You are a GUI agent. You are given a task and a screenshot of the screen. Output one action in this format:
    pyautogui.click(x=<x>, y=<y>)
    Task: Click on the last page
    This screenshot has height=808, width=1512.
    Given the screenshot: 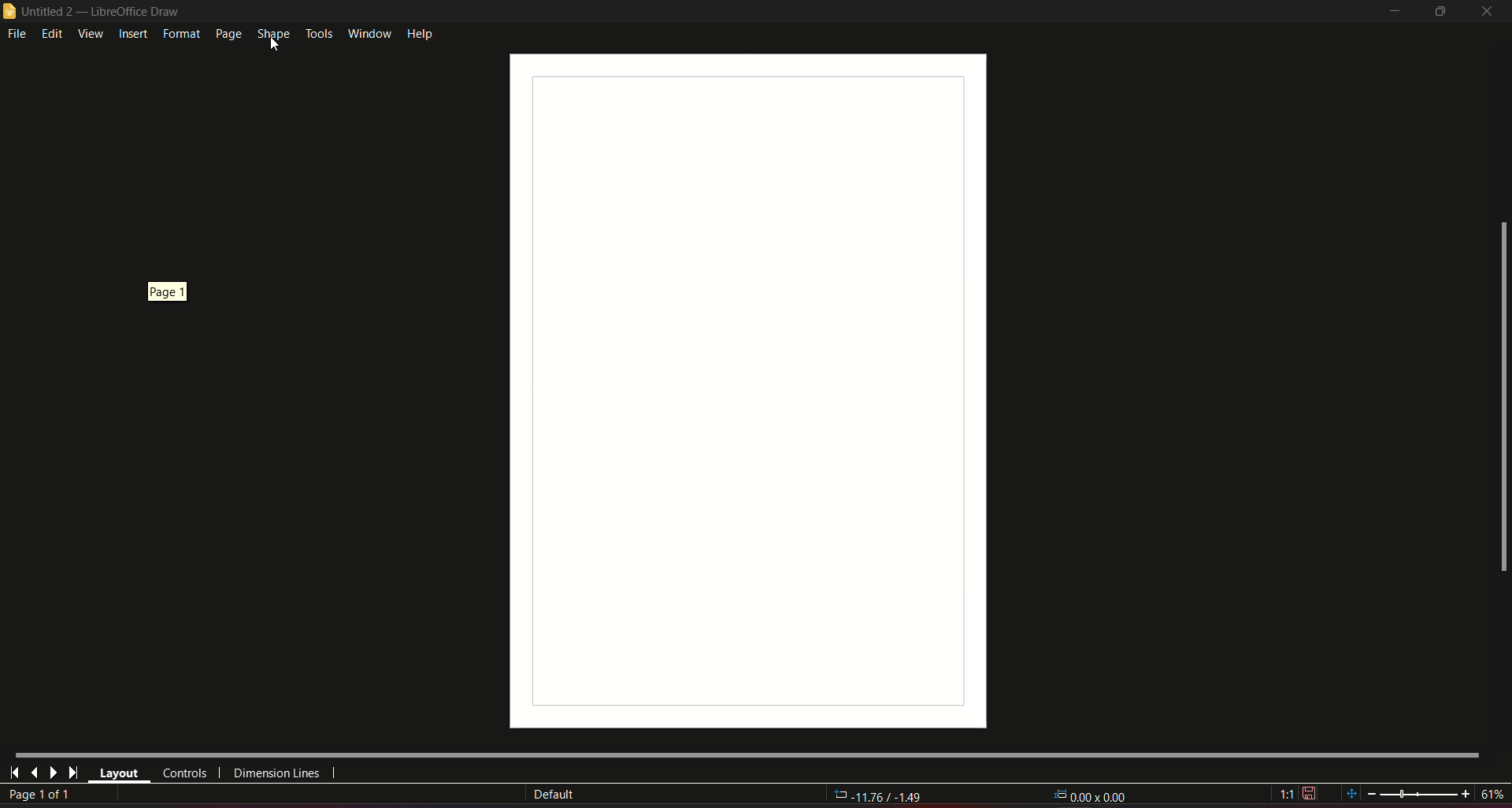 What is the action you would take?
    pyautogui.click(x=72, y=773)
    